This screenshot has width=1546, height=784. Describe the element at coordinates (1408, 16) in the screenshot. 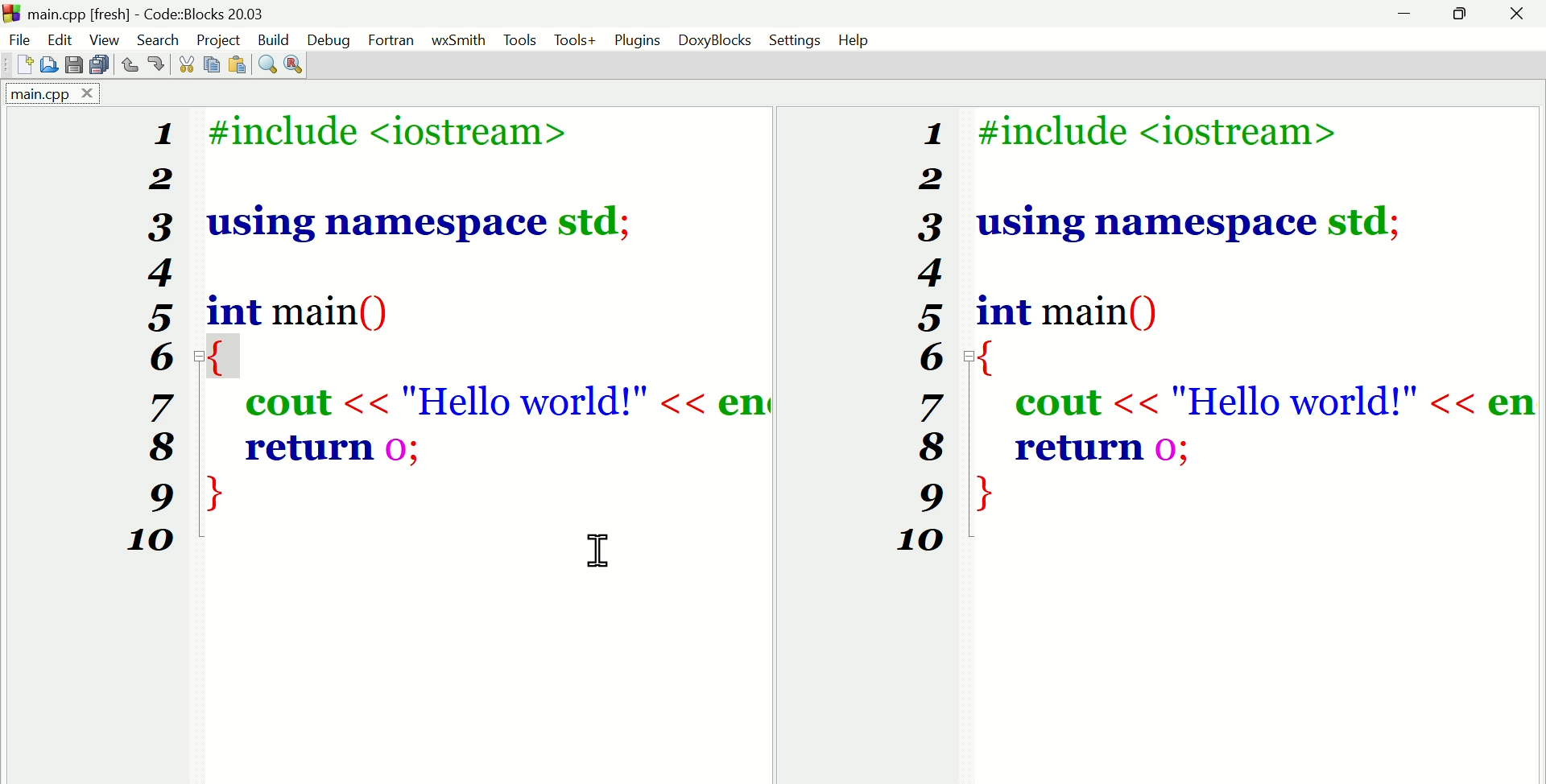

I see `minimise` at that location.